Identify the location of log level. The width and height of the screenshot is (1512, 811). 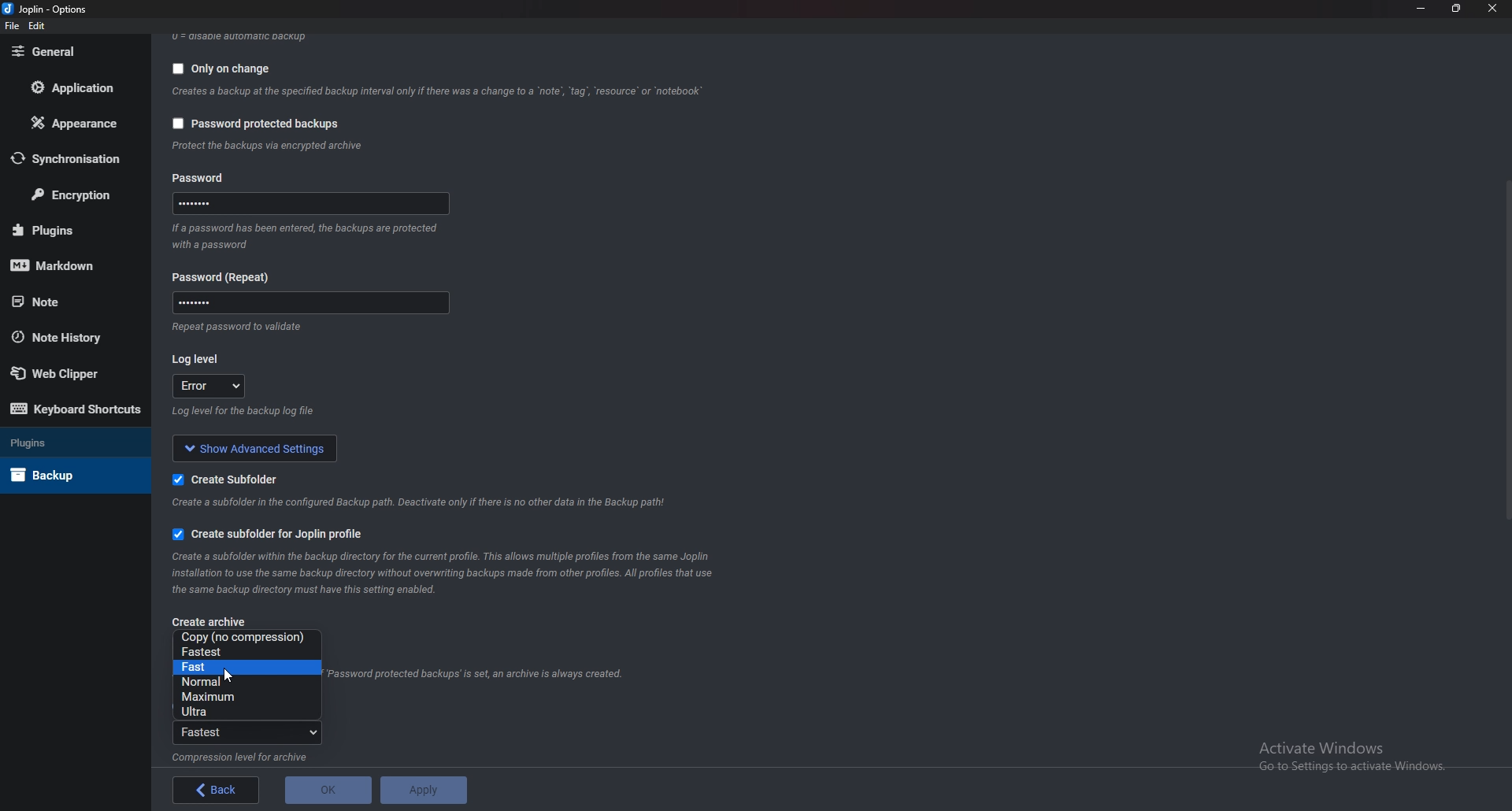
(209, 387).